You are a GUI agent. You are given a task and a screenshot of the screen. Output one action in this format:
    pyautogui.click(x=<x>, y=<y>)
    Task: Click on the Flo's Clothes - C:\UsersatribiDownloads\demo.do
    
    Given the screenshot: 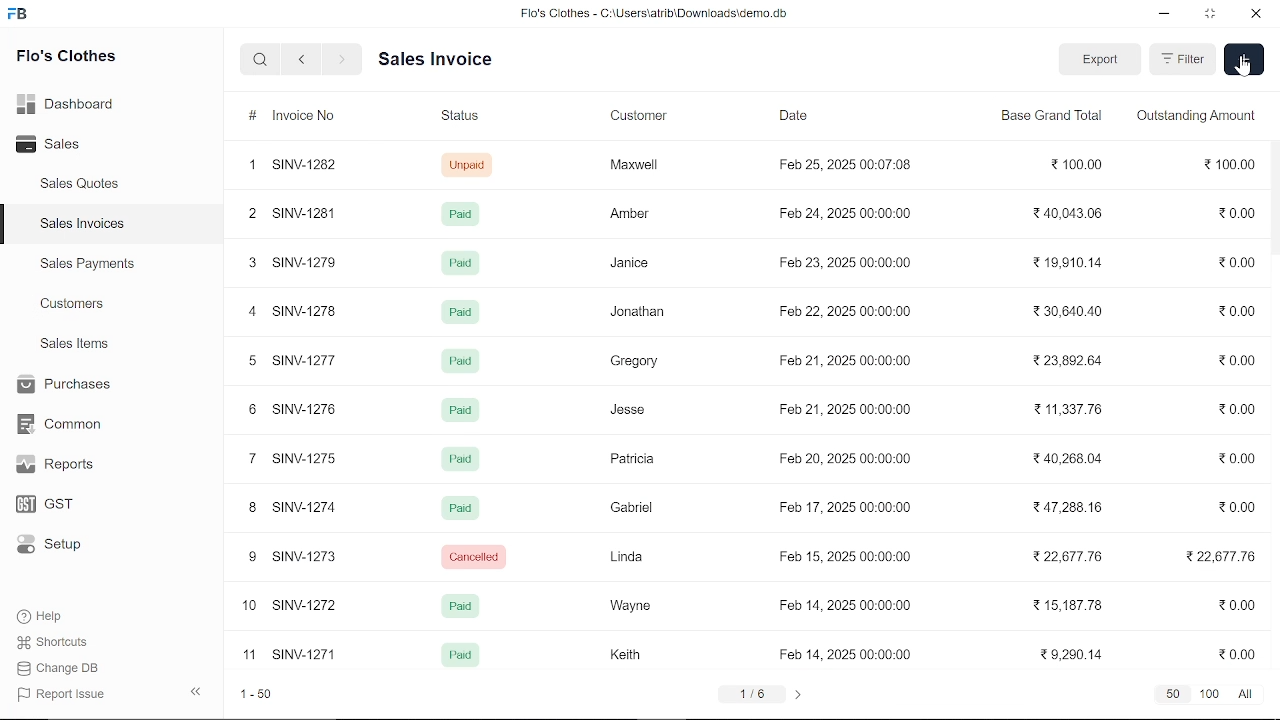 What is the action you would take?
    pyautogui.click(x=662, y=15)
    